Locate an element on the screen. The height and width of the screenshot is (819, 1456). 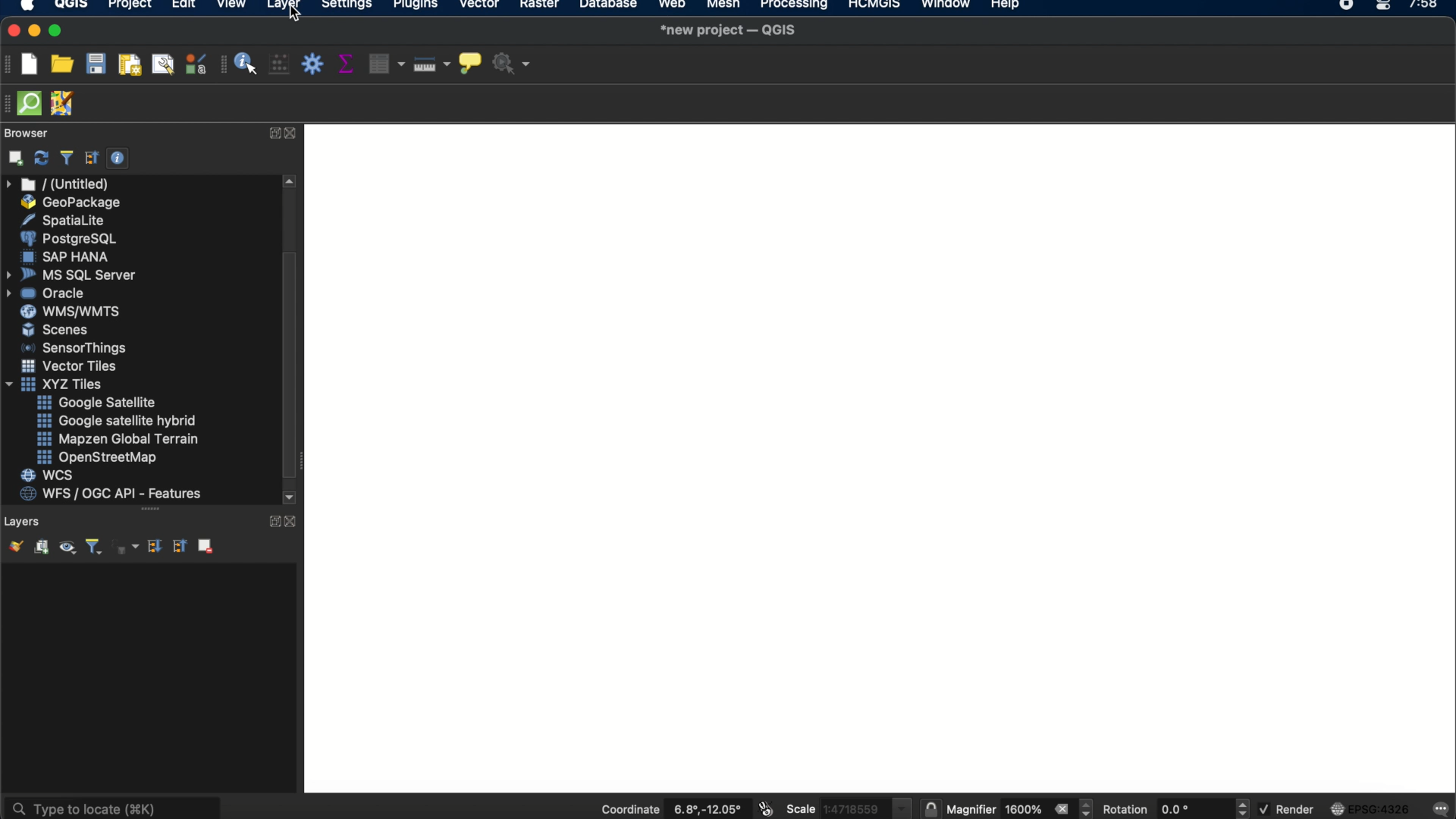
maximize is located at coordinates (56, 32).